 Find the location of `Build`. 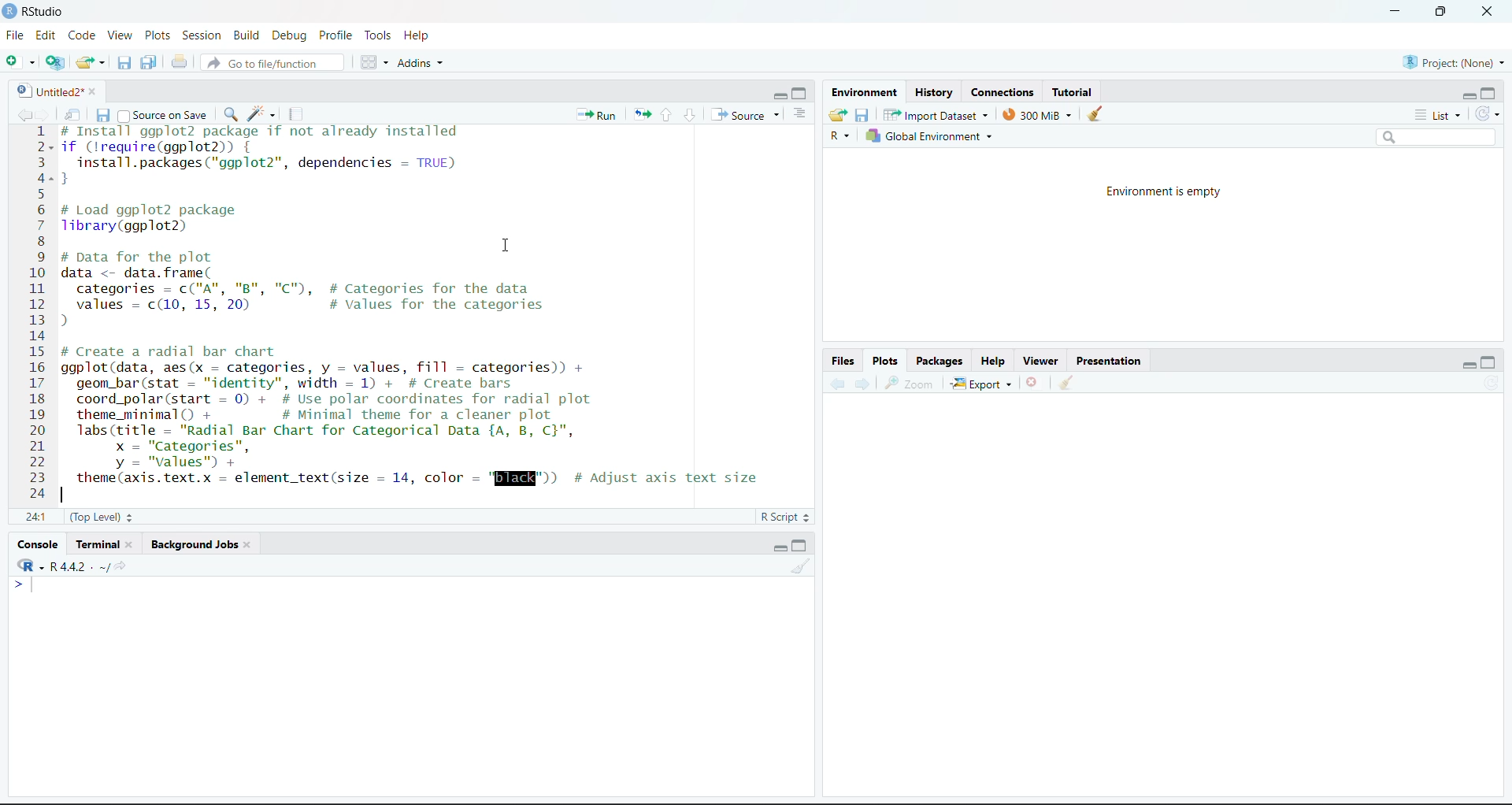

Build is located at coordinates (246, 35).